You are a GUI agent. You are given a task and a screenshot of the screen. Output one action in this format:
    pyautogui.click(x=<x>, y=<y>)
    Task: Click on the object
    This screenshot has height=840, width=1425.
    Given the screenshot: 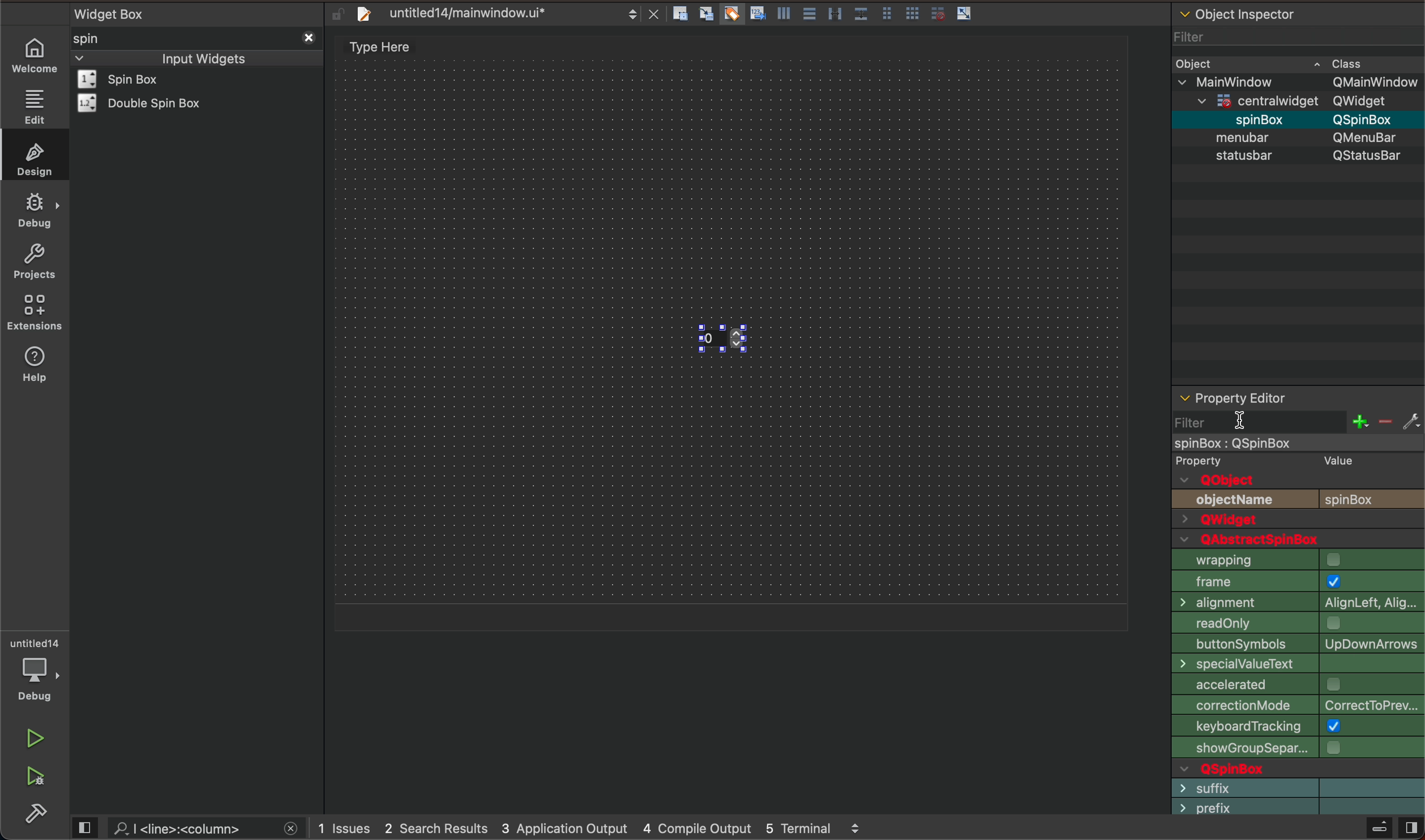 What is the action you would take?
    pyautogui.click(x=1246, y=137)
    